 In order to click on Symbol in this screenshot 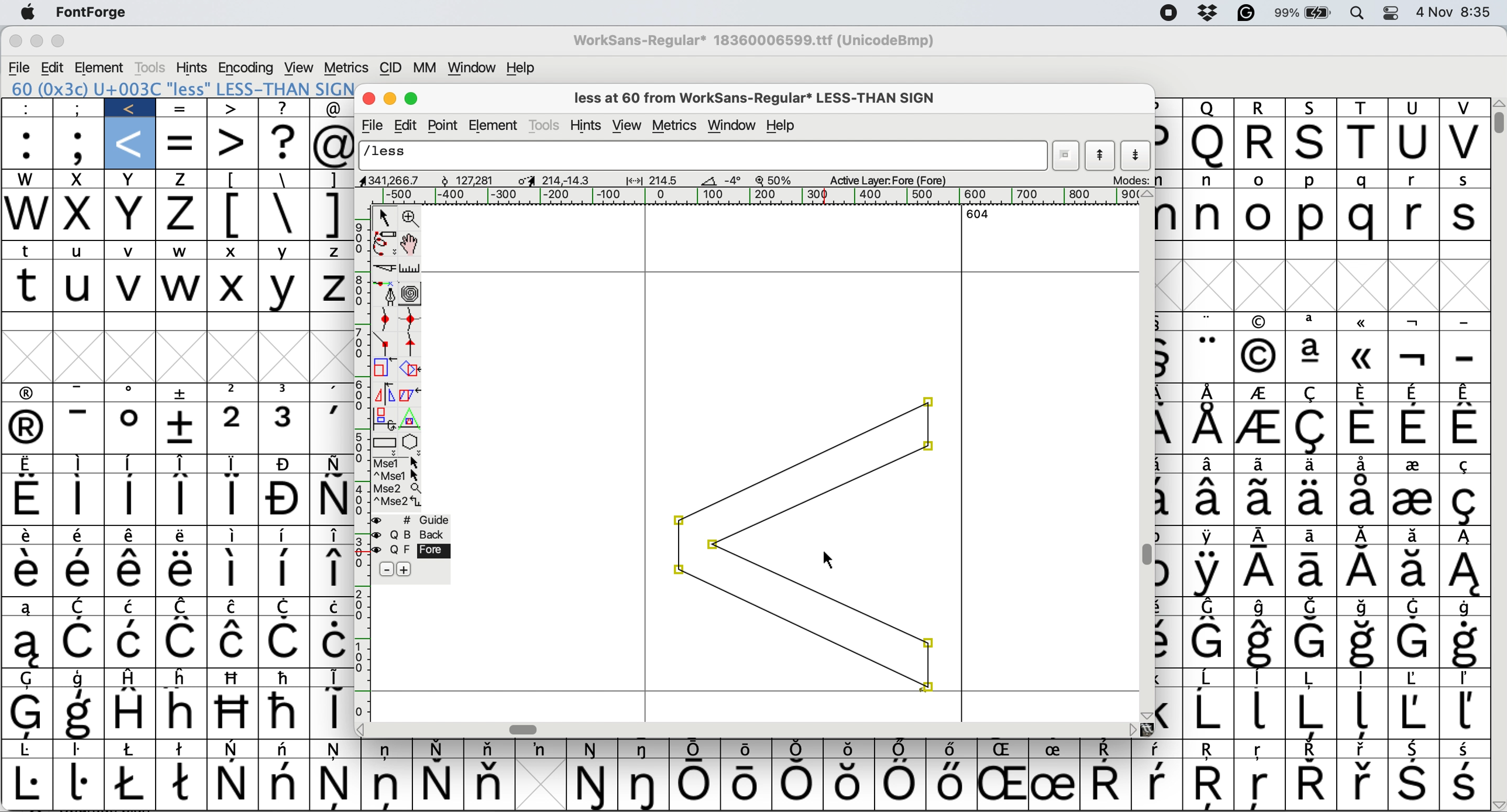, I will do `click(29, 430)`.